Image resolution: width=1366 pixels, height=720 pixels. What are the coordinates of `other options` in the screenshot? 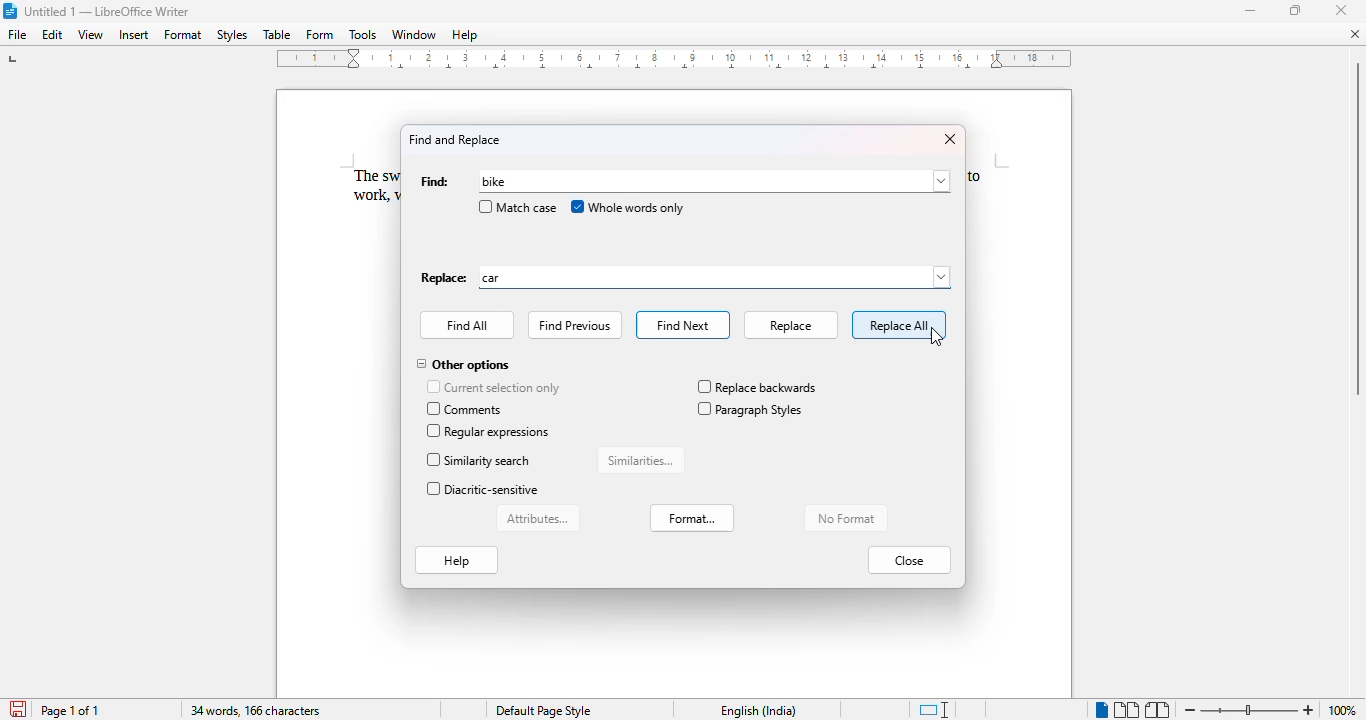 It's located at (463, 366).